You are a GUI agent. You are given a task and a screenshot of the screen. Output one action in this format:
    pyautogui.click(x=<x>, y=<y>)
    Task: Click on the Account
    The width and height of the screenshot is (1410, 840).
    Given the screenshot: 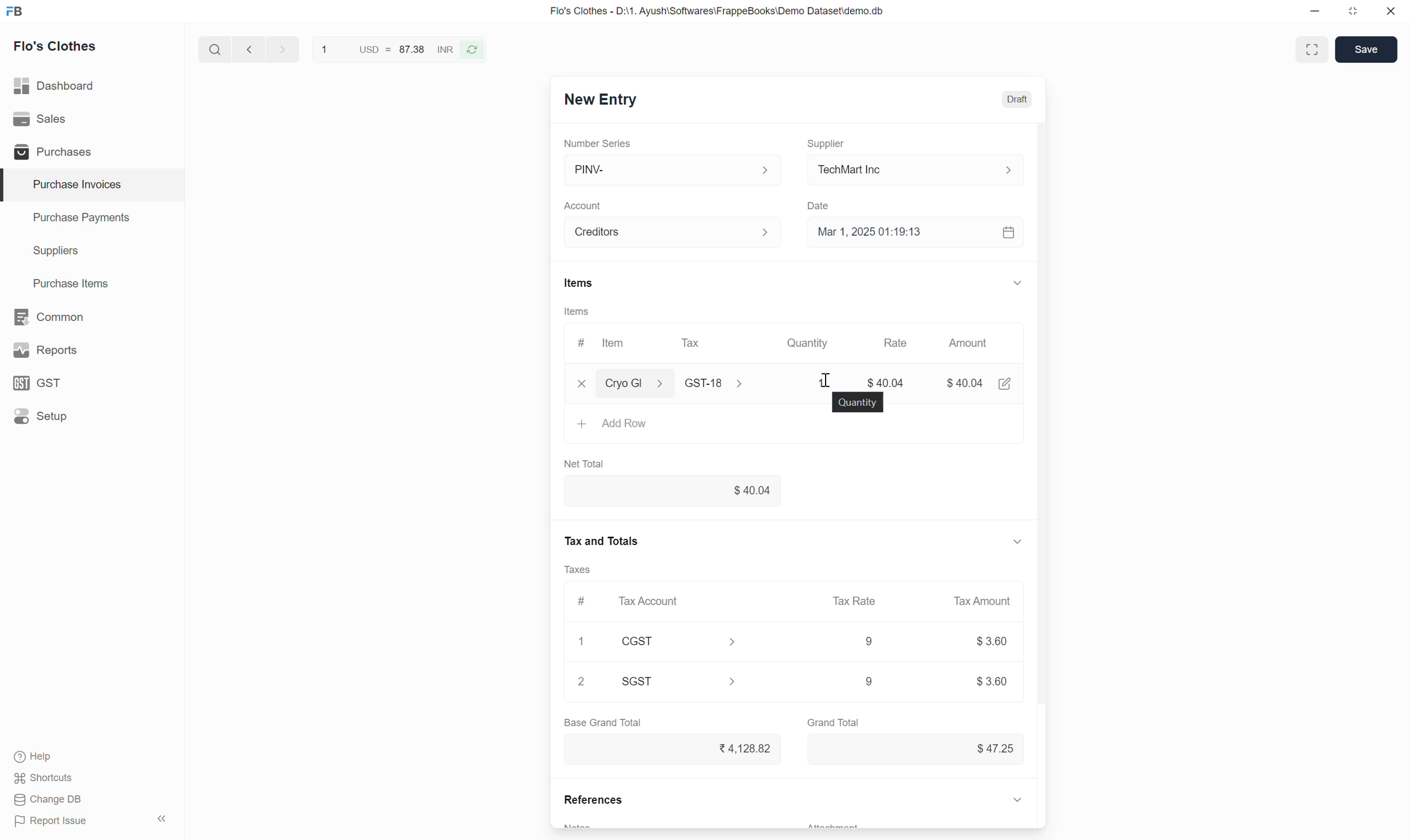 What is the action you would take?
    pyautogui.click(x=586, y=202)
    